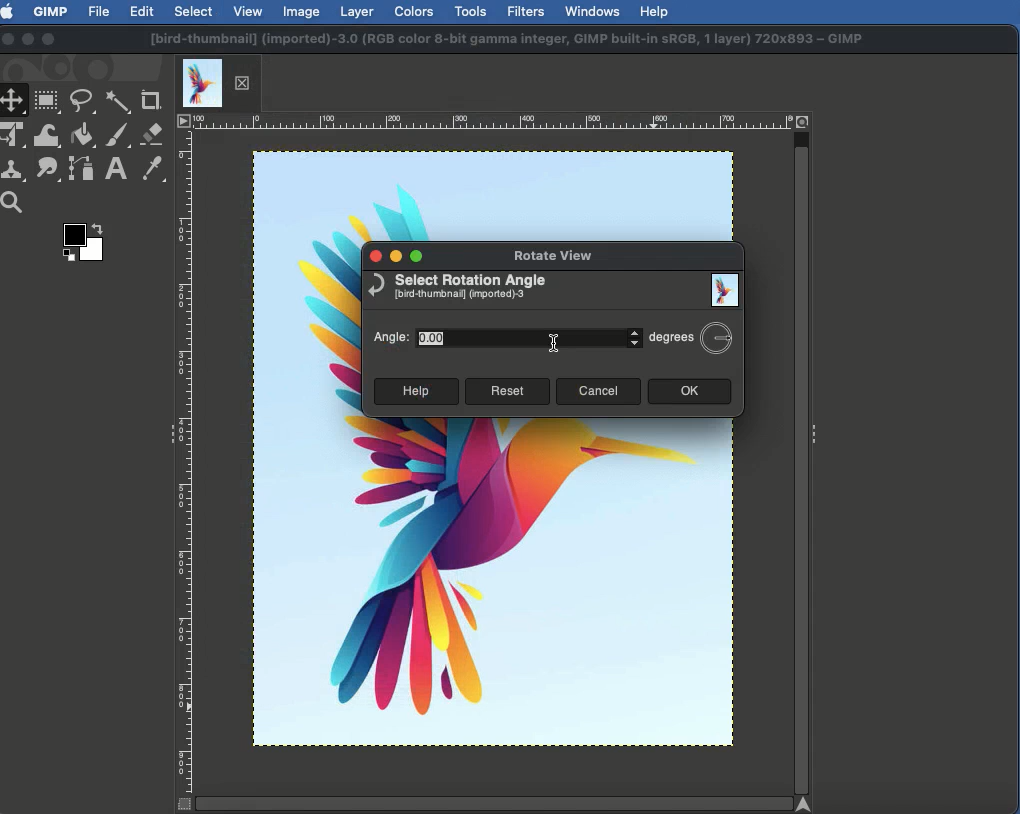 The width and height of the screenshot is (1020, 814). What do you see at coordinates (598, 392) in the screenshot?
I see `Cancel` at bounding box center [598, 392].